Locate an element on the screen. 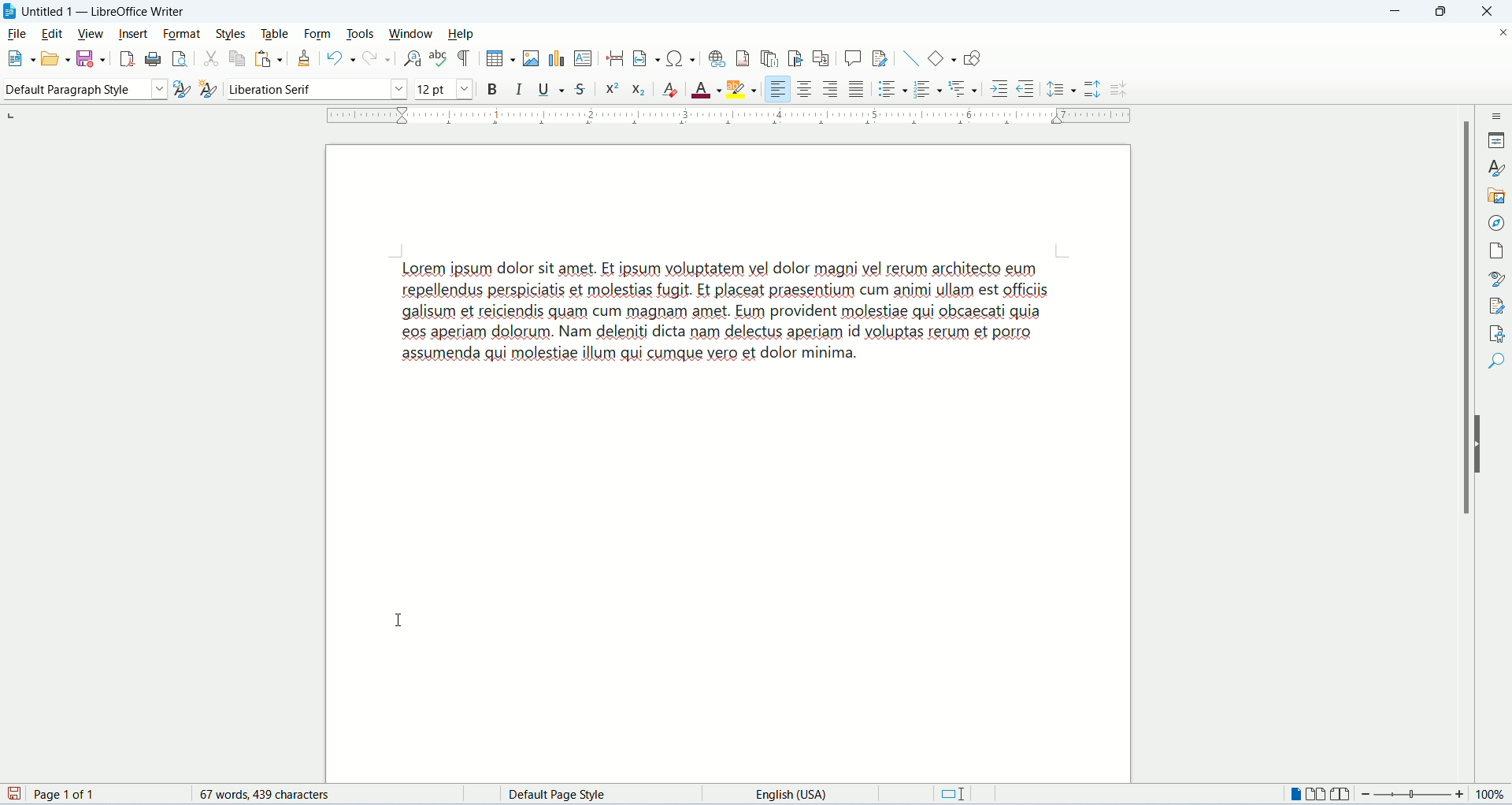 This screenshot has width=1512, height=805. strikethrough is located at coordinates (581, 88).